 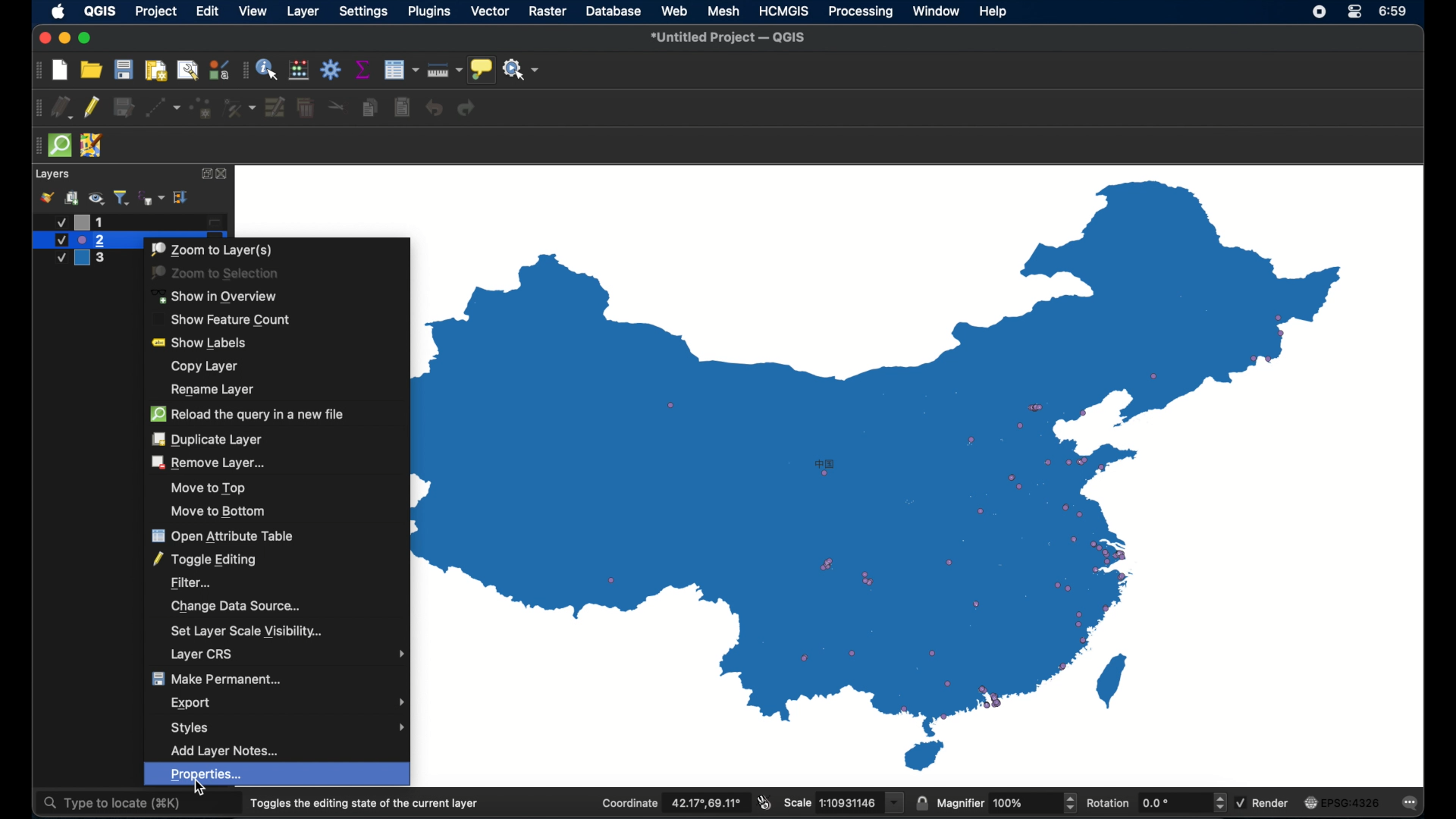 I want to click on styling panel, so click(x=46, y=197).